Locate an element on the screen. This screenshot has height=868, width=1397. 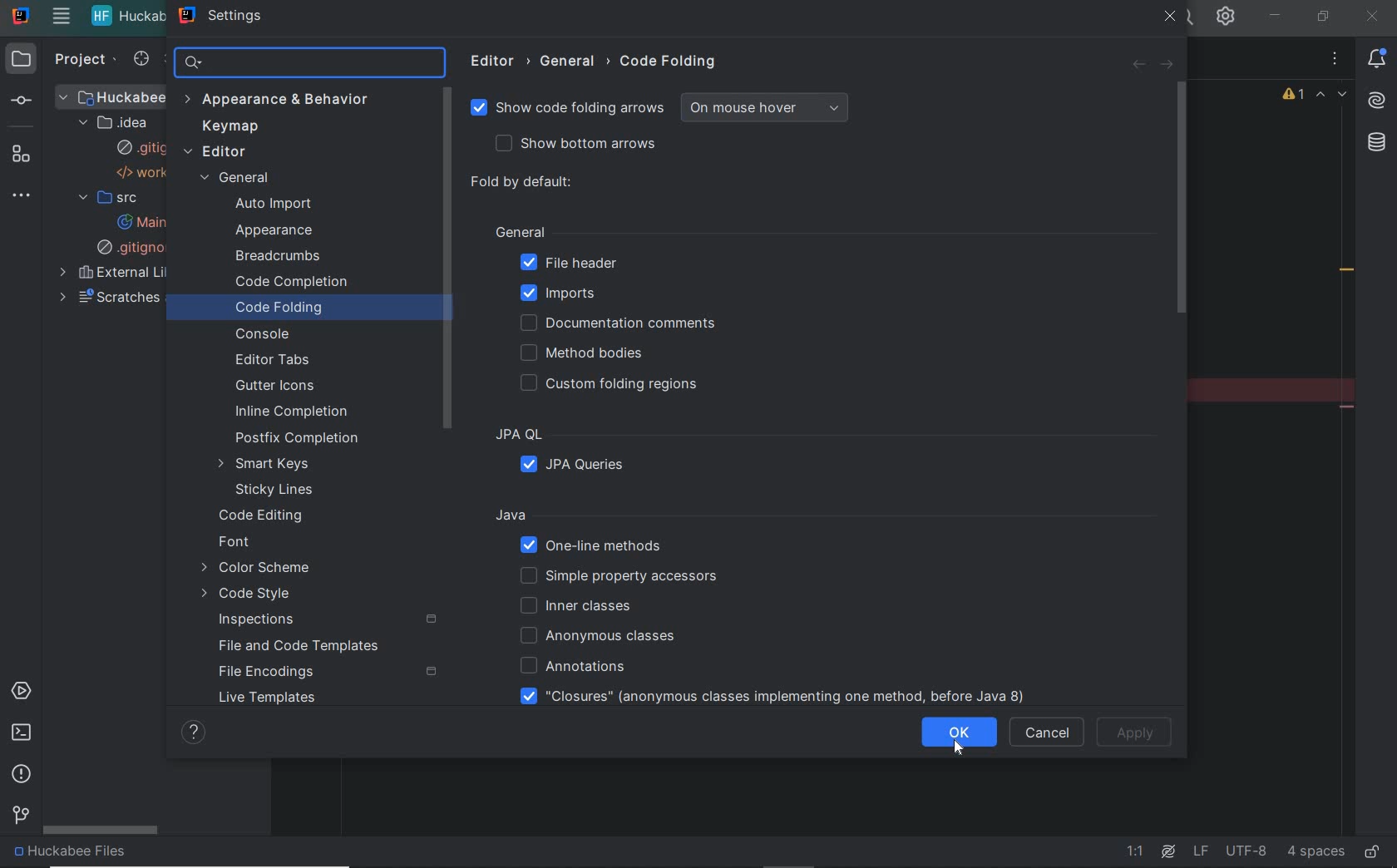
Java is located at coordinates (781, 515).